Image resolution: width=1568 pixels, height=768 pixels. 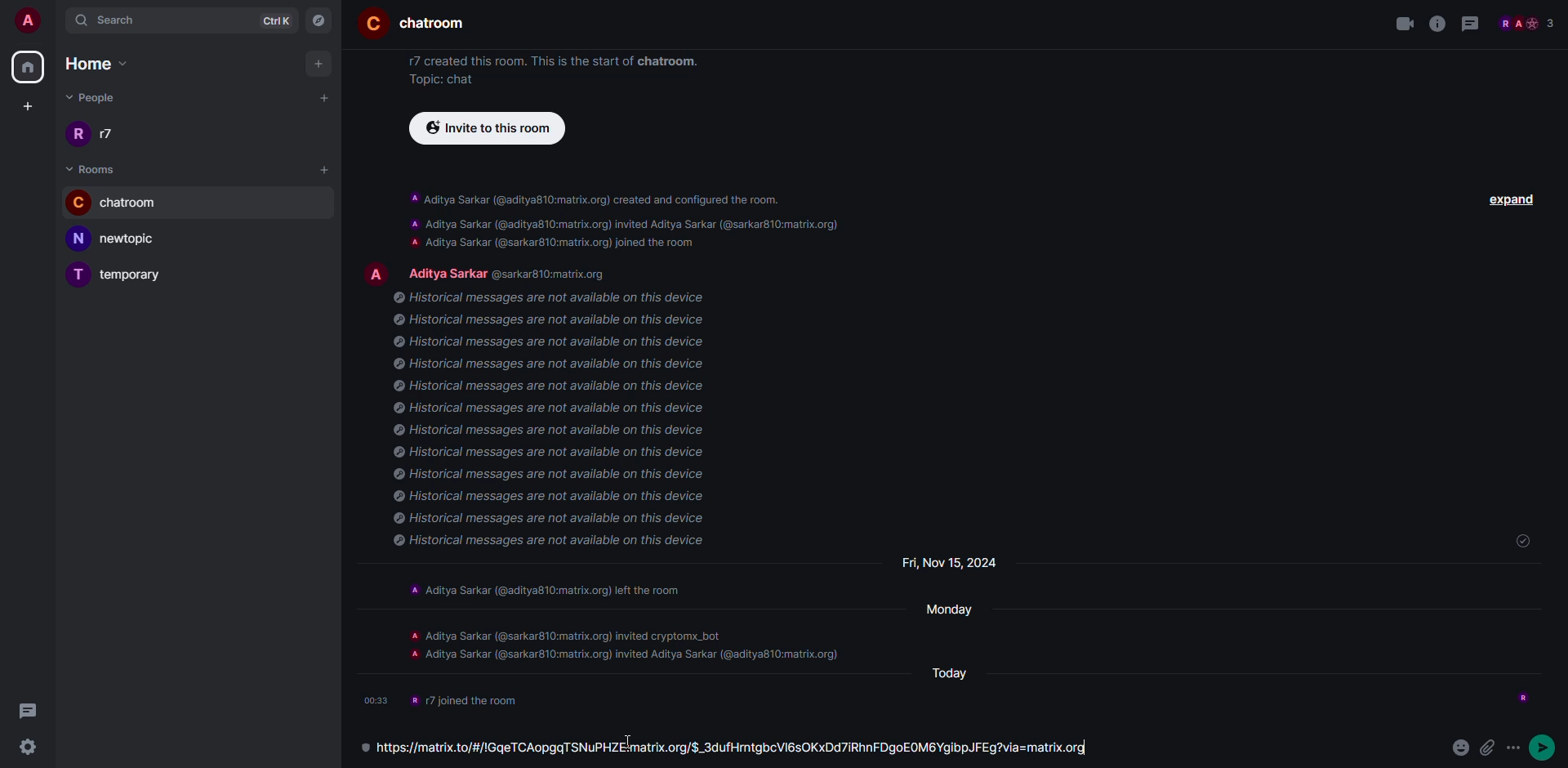 What do you see at coordinates (620, 645) in the screenshot?
I see `A Aditya Sarkar (@sarkar810:matrix.org) invited cryptomx_bot
a Aditya Sarkar (@sarkar810:matrix.org) invited Aditya Sarkar (@aditya810:matrix.org)` at bounding box center [620, 645].